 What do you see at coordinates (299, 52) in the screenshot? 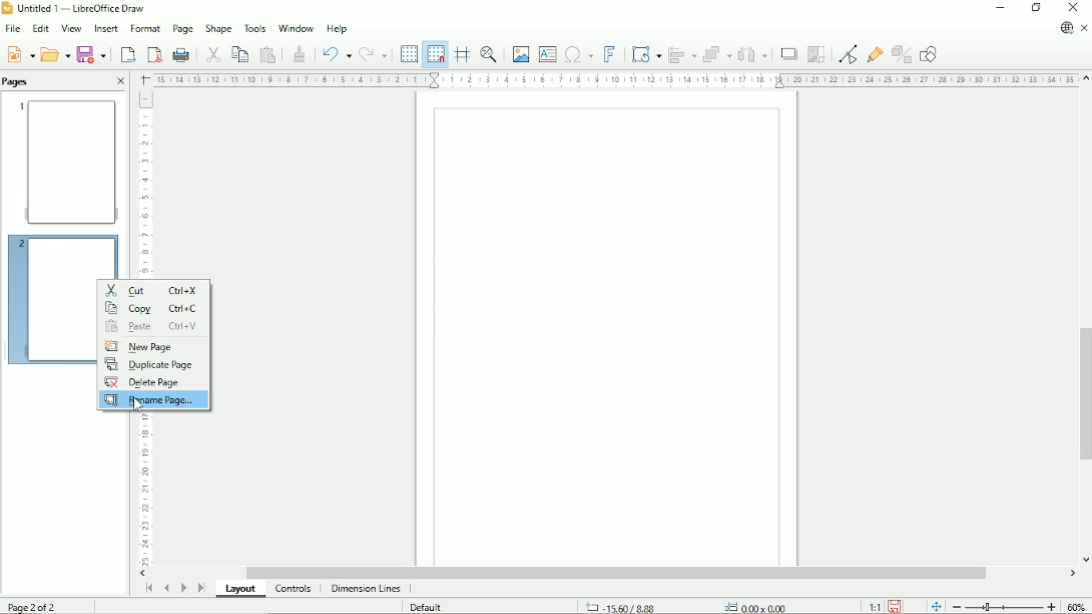
I see `Clone formatting` at bounding box center [299, 52].